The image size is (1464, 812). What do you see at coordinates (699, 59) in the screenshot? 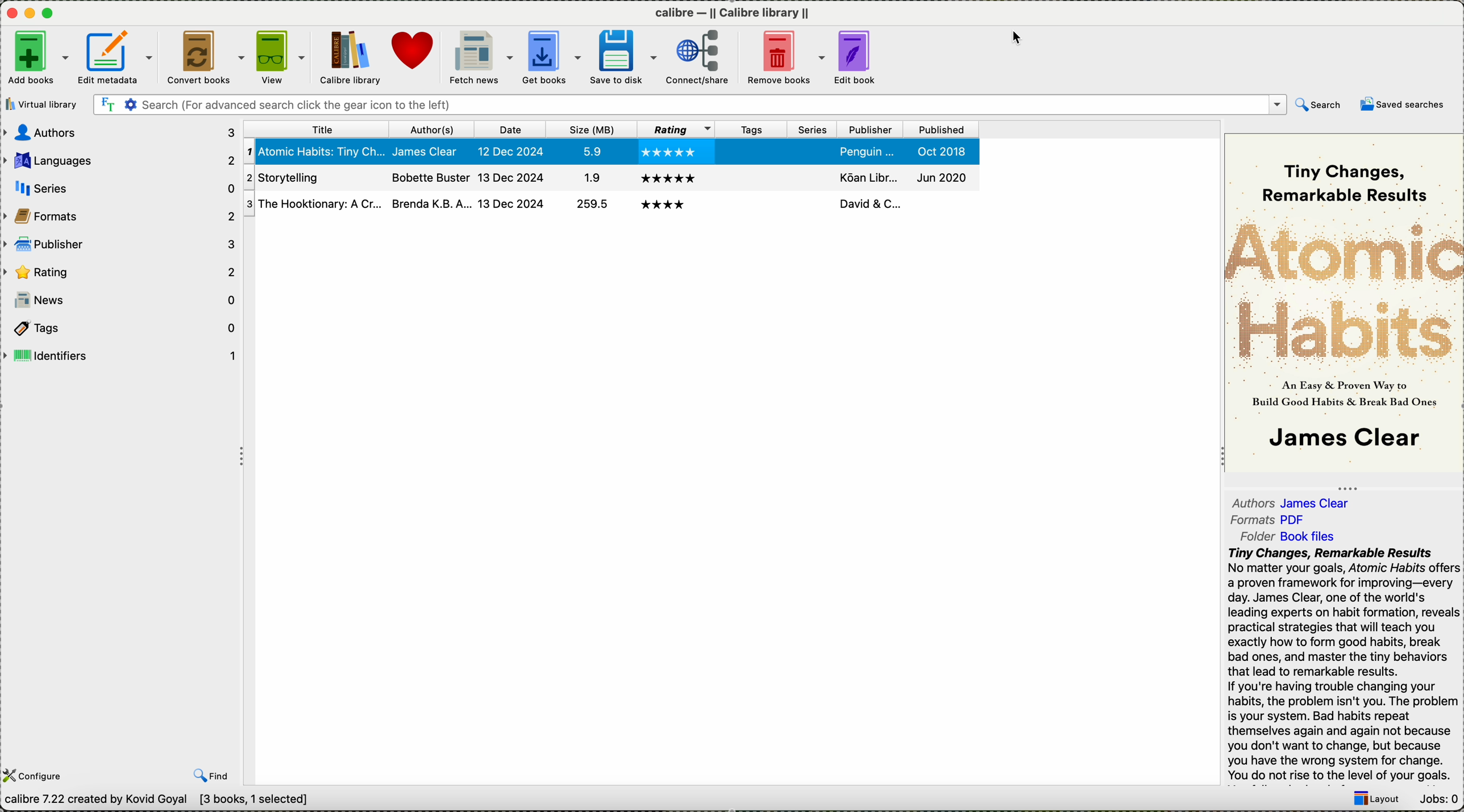
I see `connect/share` at bounding box center [699, 59].